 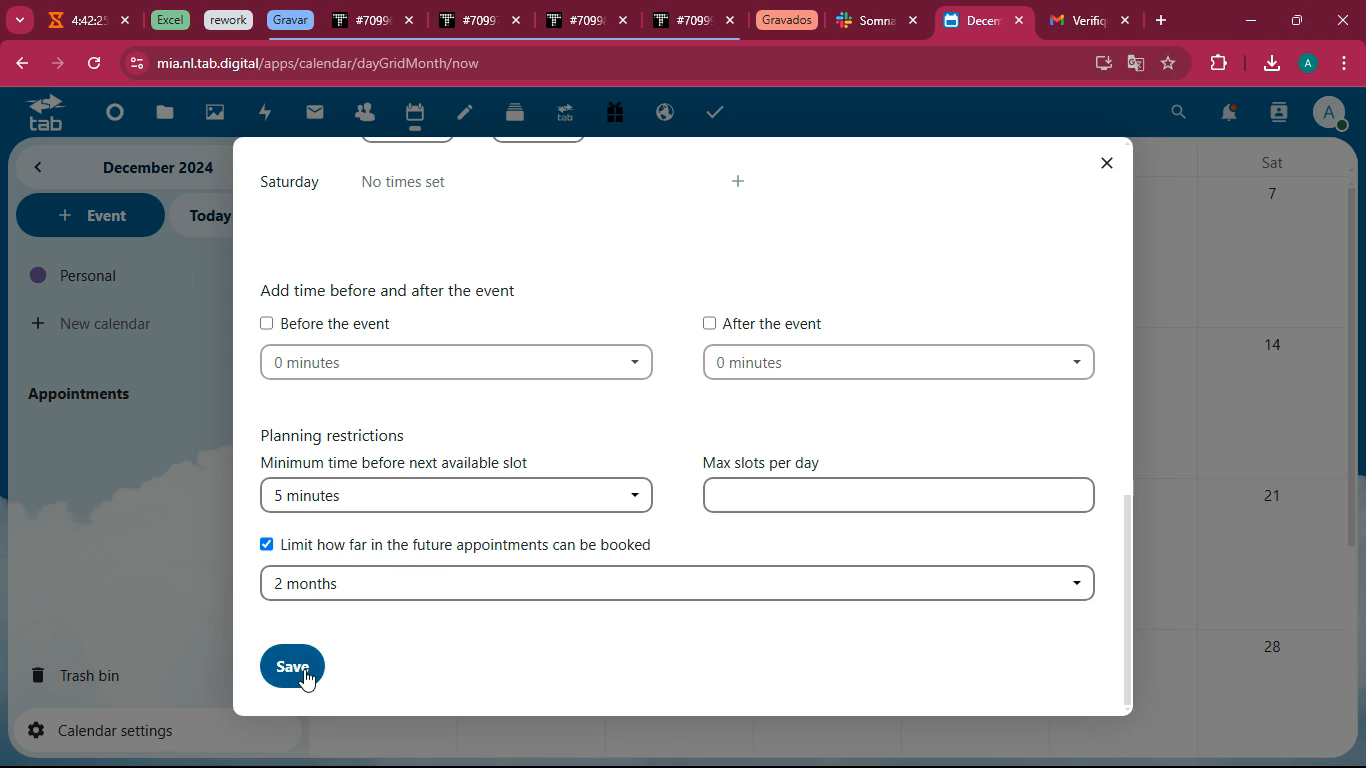 What do you see at coordinates (318, 63) in the screenshot?
I see `url` at bounding box center [318, 63].